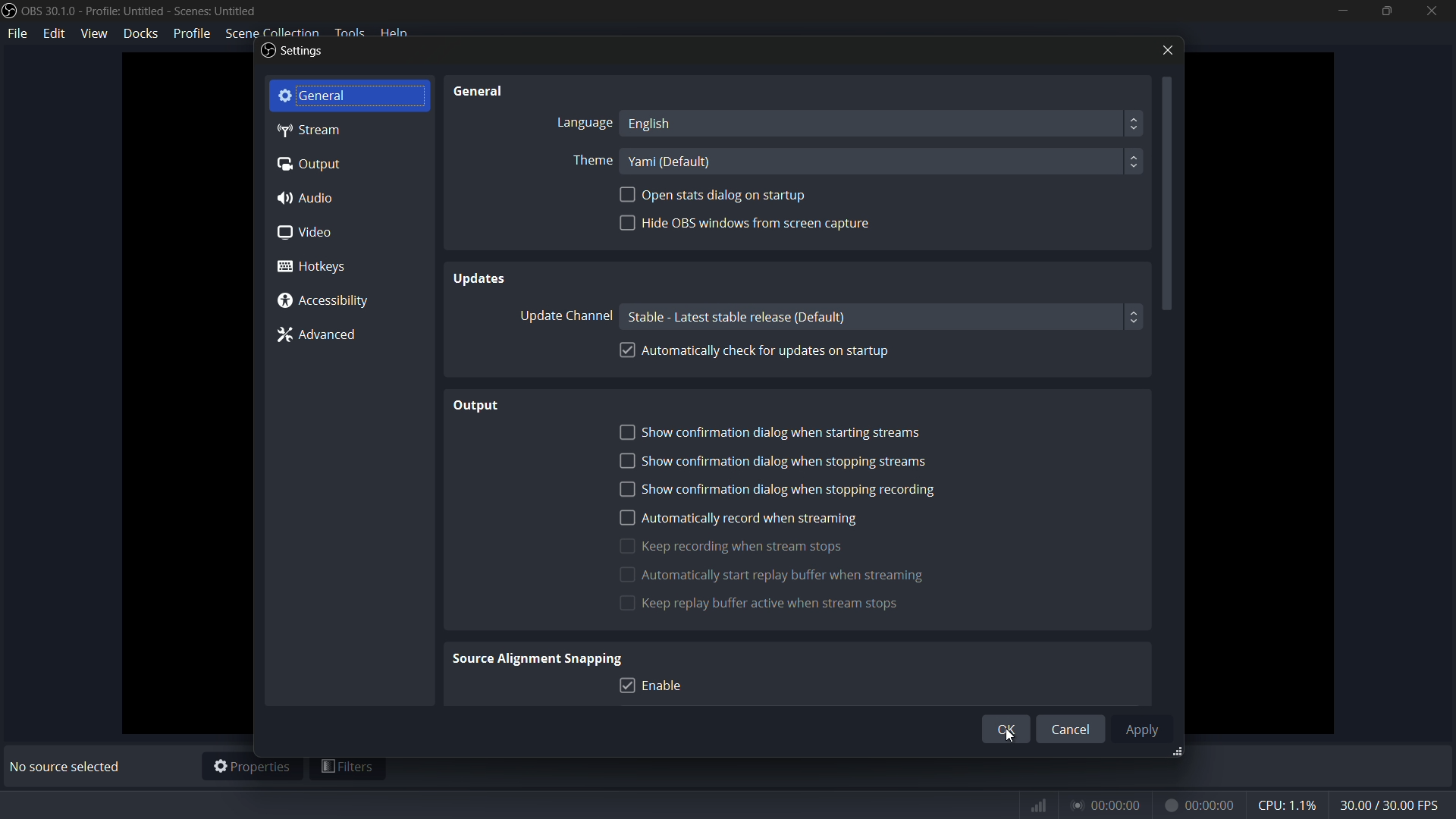  What do you see at coordinates (1204, 803) in the screenshot?
I see `record streamed` at bounding box center [1204, 803].